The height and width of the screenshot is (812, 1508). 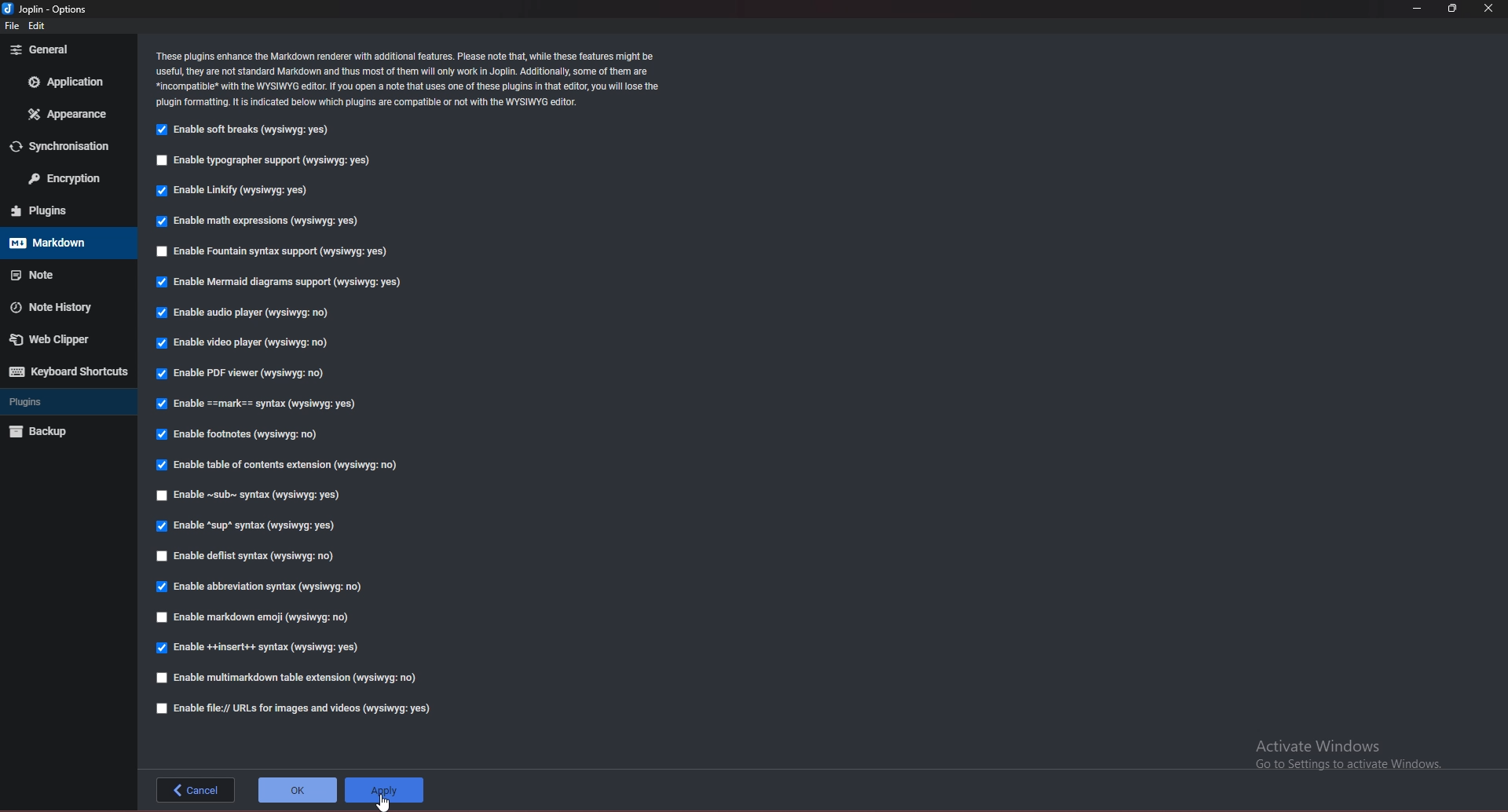 What do you see at coordinates (247, 131) in the screenshot?
I see `enable soft breaks` at bounding box center [247, 131].